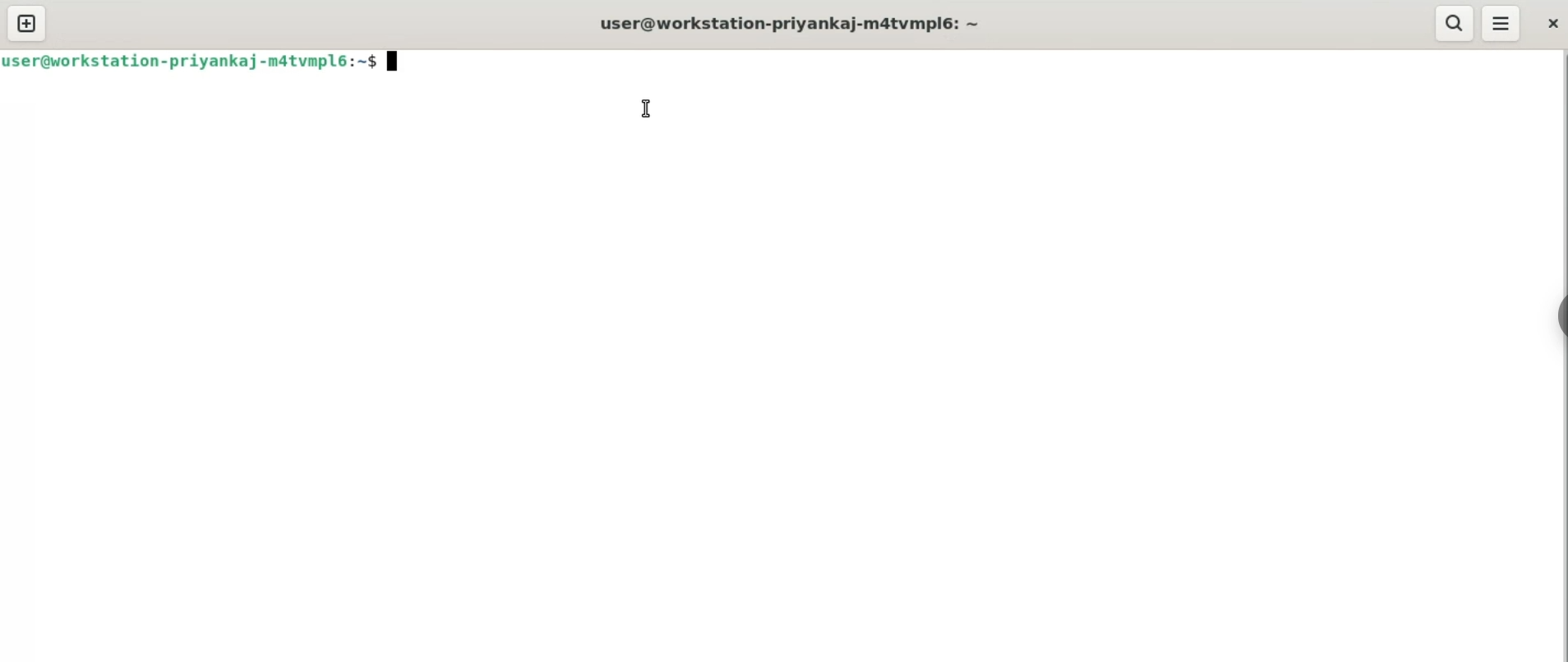  I want to click on search, so click(1452, 23).